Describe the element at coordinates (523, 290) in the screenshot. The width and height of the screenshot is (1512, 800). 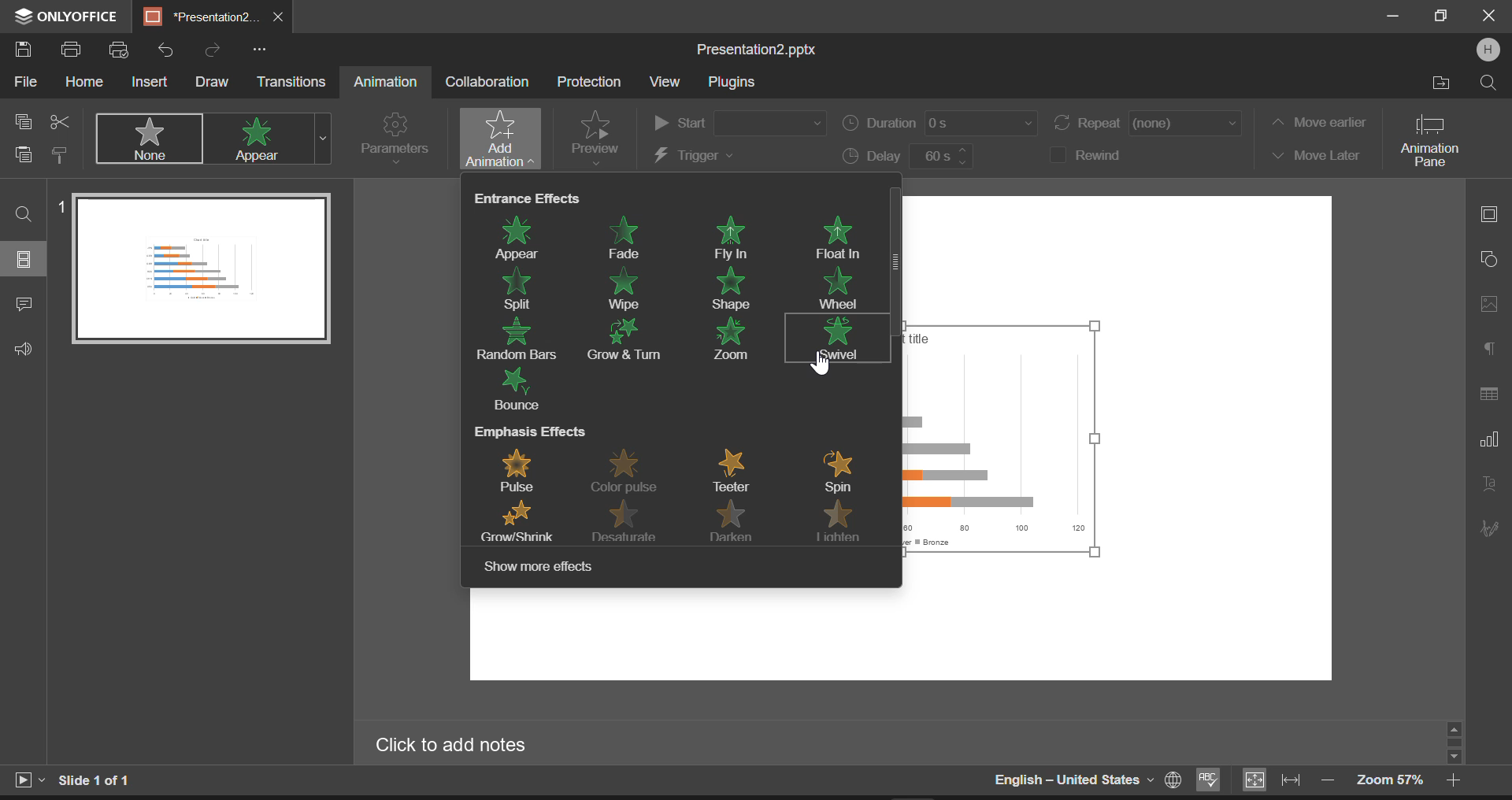
I see `Split` at that location.